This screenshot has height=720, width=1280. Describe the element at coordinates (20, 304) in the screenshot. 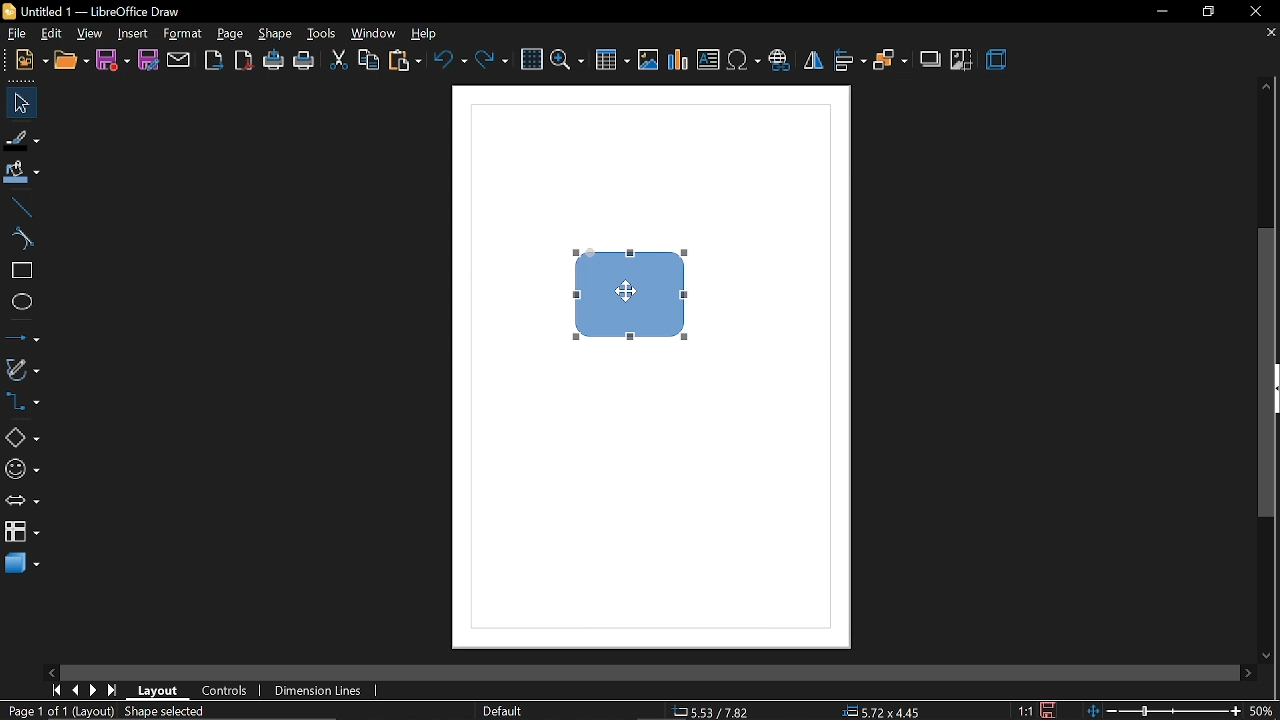

I see `ellipse` at that location.